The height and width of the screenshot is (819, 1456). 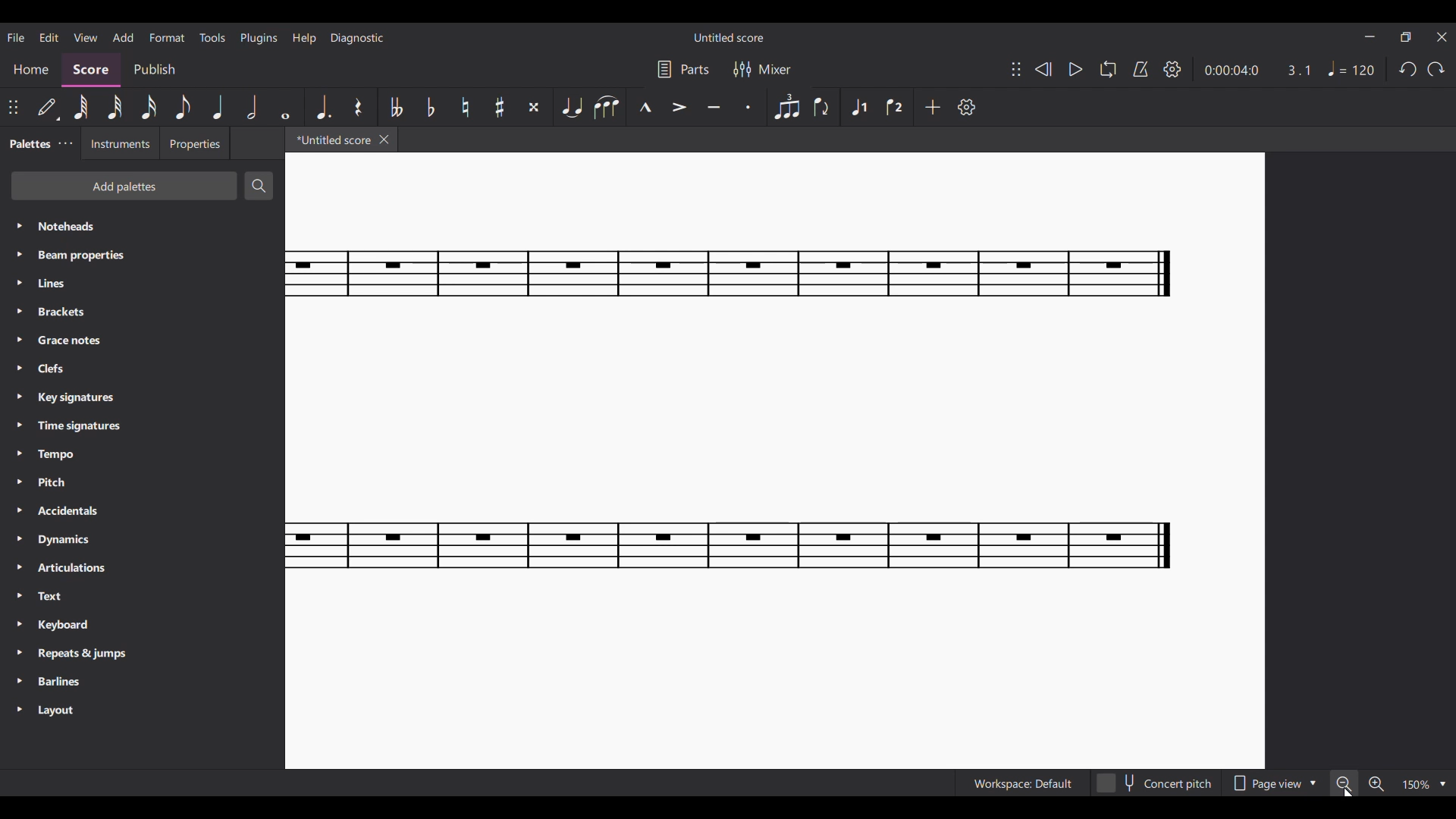 What do you see at coordinates (259, 186) in the screenshot?
I see `Search` at bounding box center [259, 186].